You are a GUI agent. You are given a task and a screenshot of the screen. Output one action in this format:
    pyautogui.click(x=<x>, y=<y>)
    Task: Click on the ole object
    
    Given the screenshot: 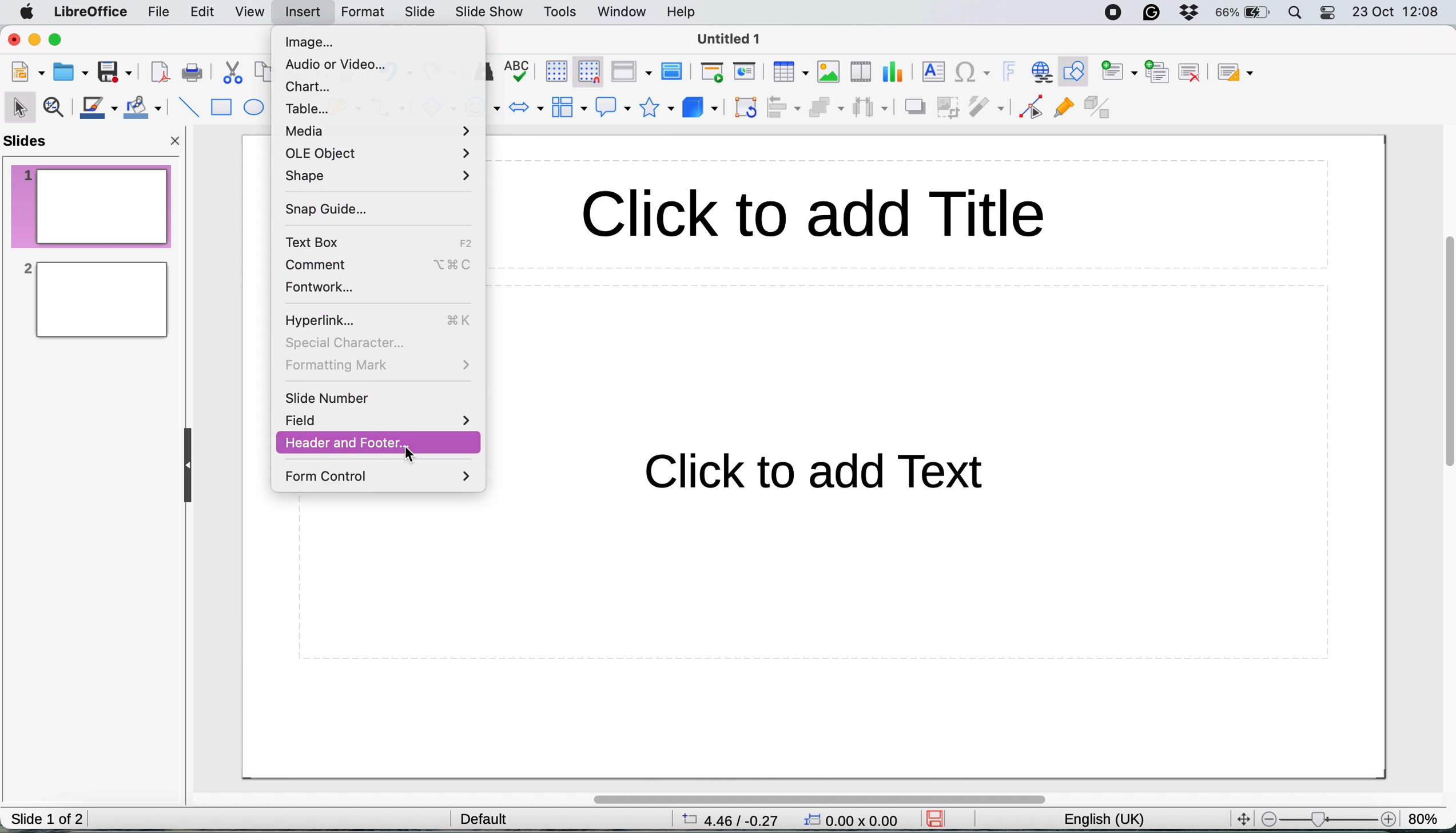 What is the action you would take?
    pyautogui.click(x=381, y=152)
    